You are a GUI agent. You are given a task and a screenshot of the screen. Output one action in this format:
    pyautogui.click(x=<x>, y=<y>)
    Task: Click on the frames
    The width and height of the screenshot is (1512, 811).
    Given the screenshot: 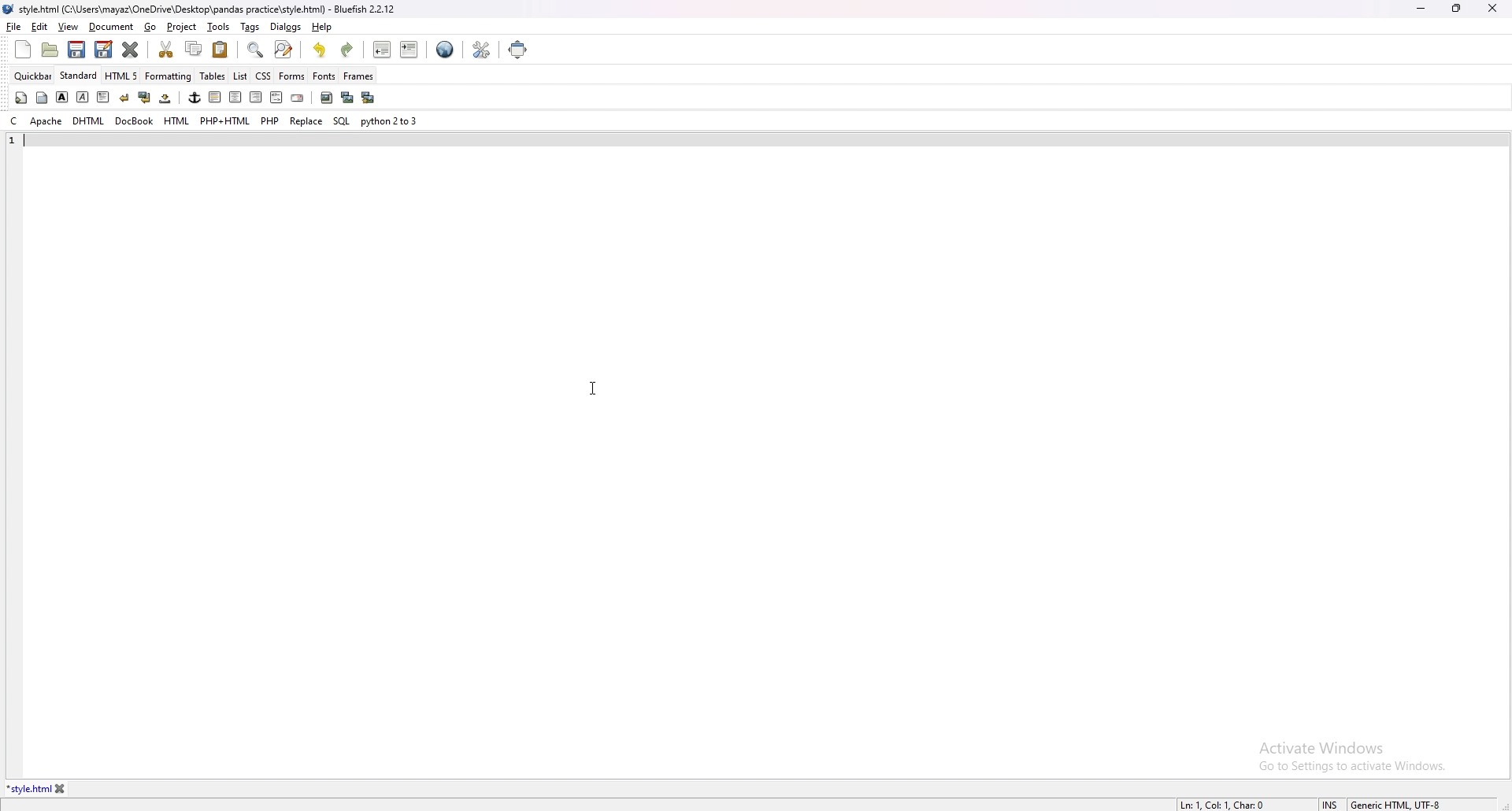 What is the action you would take?
    pyautogui.click(x=358, y=76)
    